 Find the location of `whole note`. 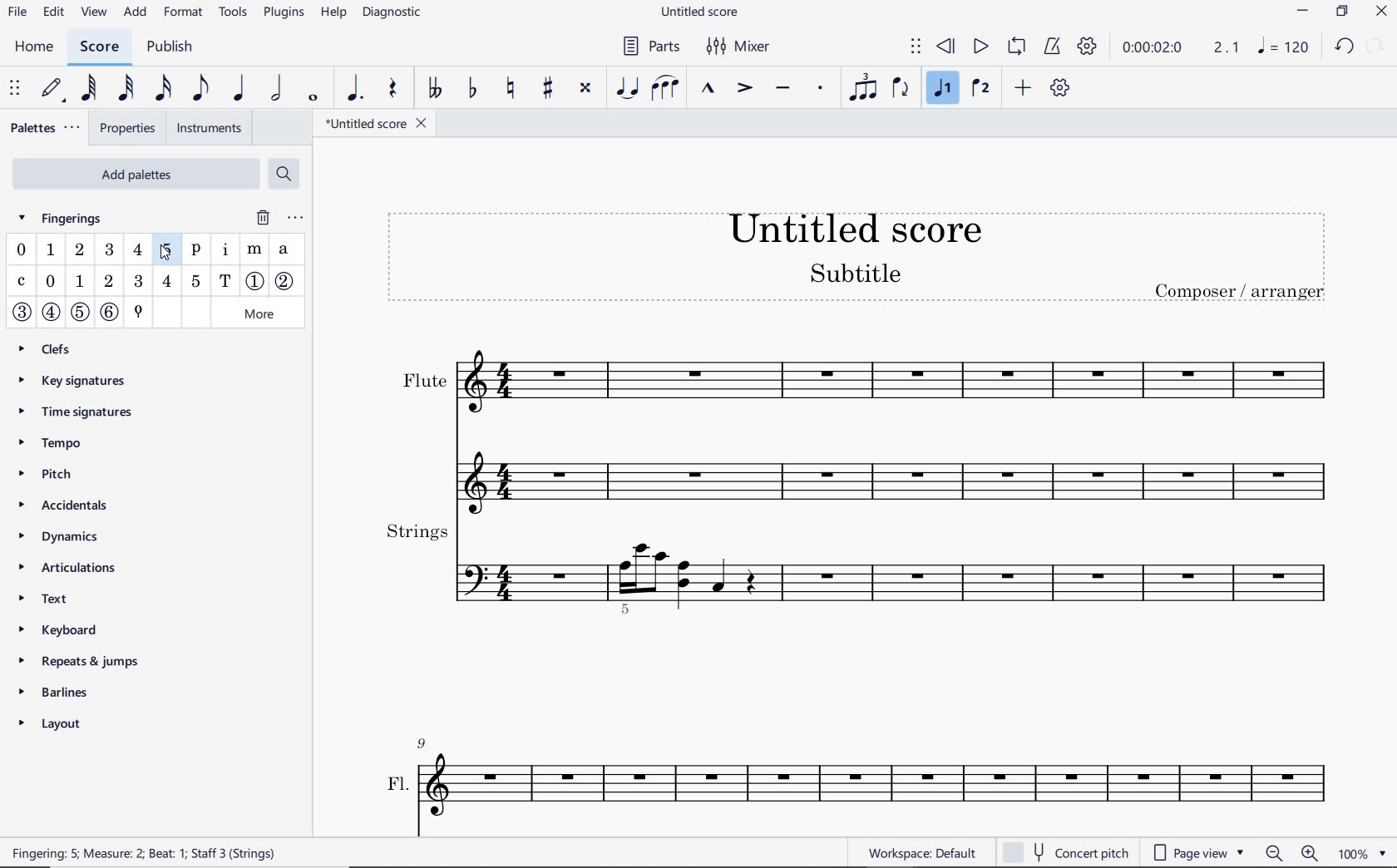

whole note is located at coordinates (313, 96).